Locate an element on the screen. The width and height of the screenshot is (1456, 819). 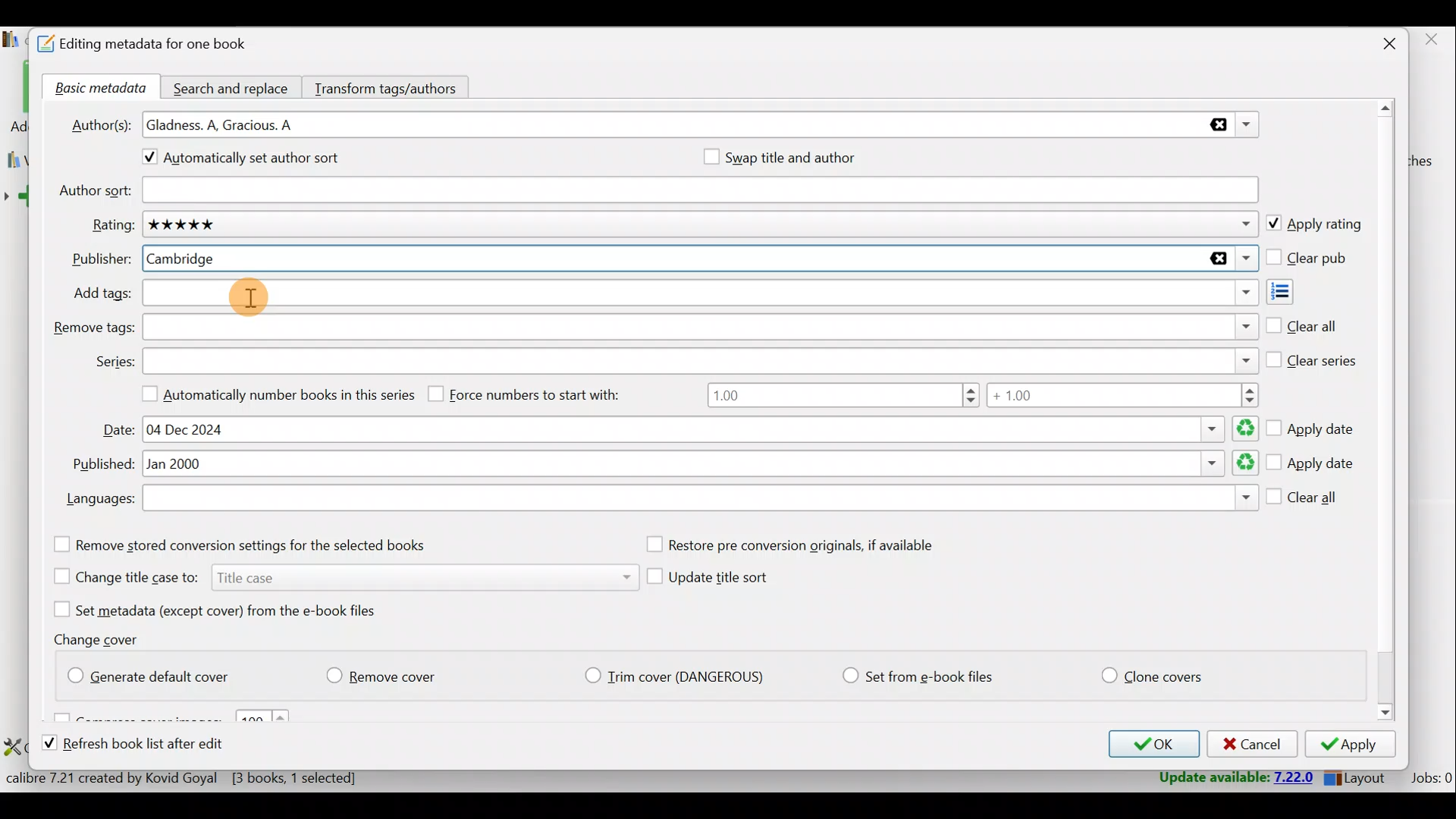
Date is located at coordinates (698, 429).